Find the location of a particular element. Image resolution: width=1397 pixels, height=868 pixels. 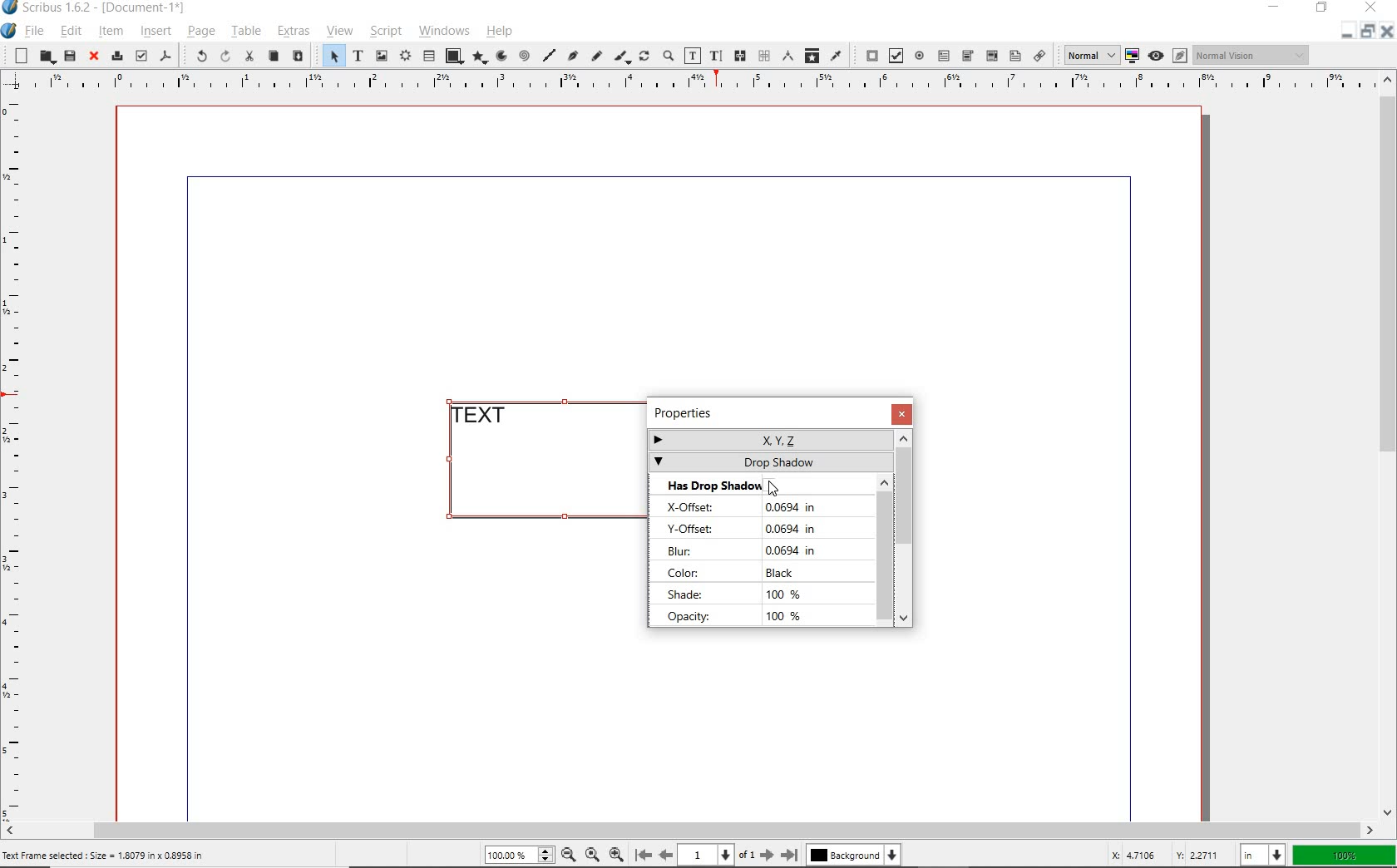

measurements is located at coordinates (786, 55).